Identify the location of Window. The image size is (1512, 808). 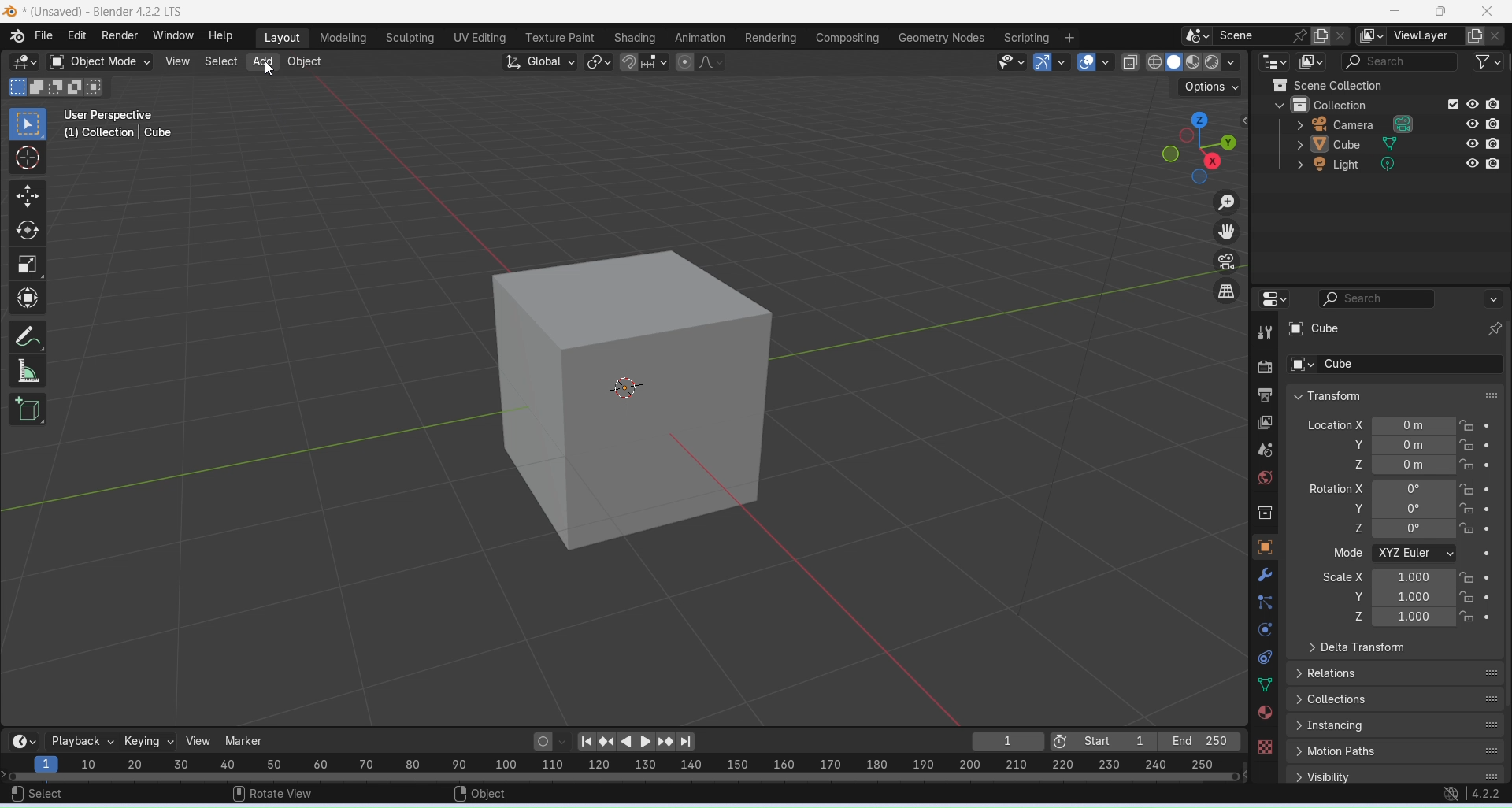
(172, 35).